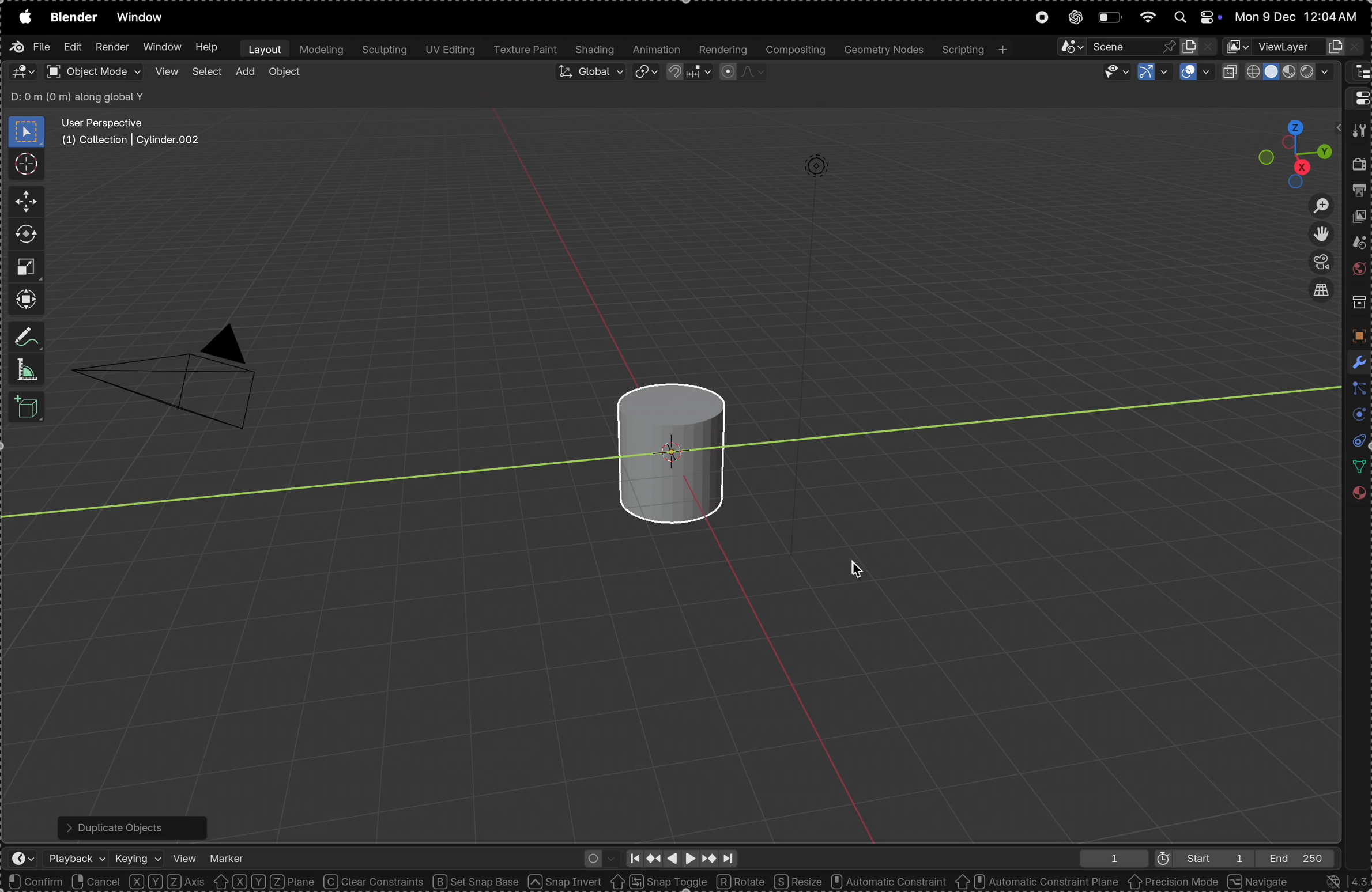 The width and height of the screenshot is (1372, 892). I want to click on precision mode, so click(1174, 883).